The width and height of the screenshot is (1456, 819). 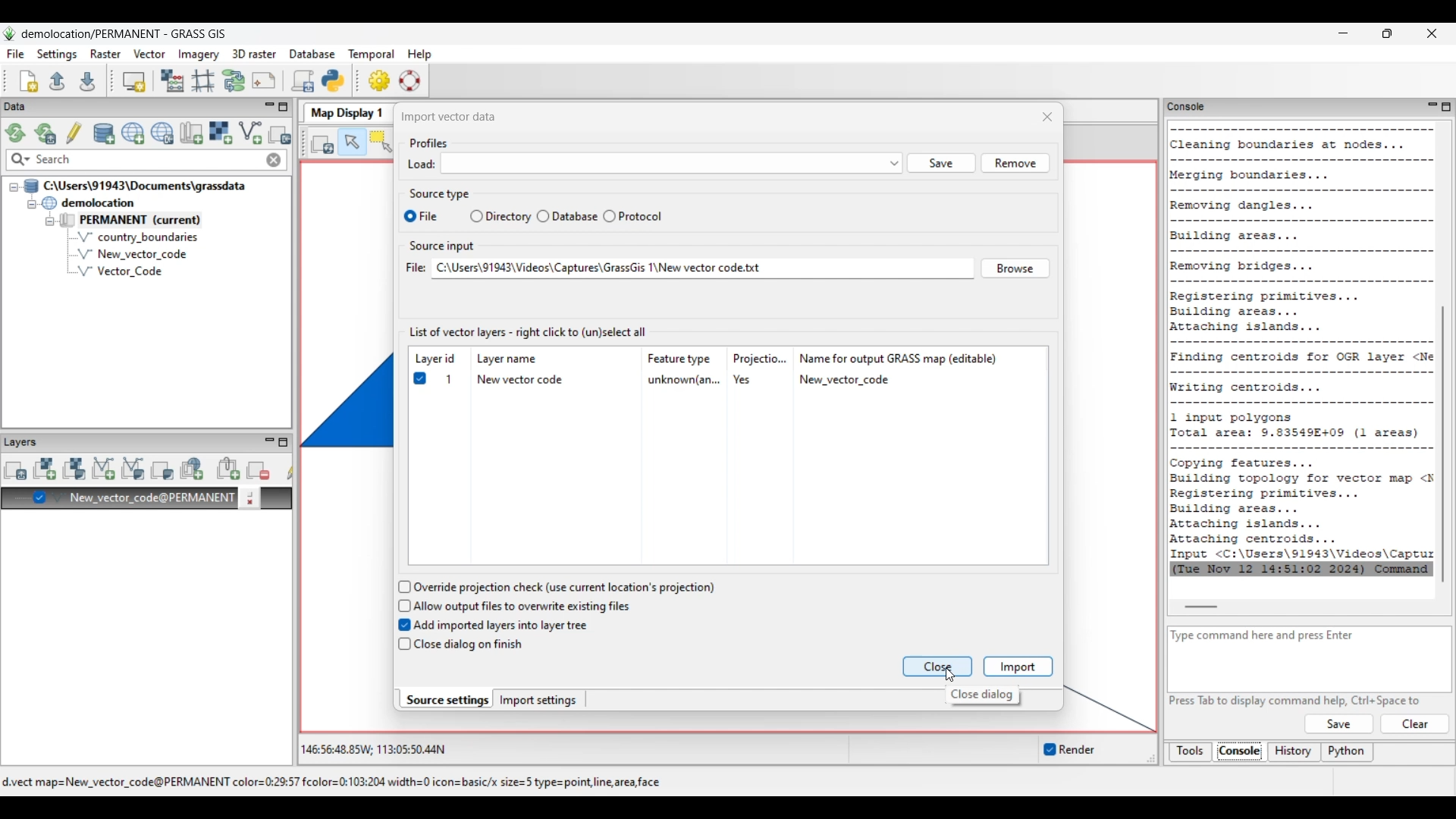 I want to click on Temporal menu, so click(x=371, y=55).